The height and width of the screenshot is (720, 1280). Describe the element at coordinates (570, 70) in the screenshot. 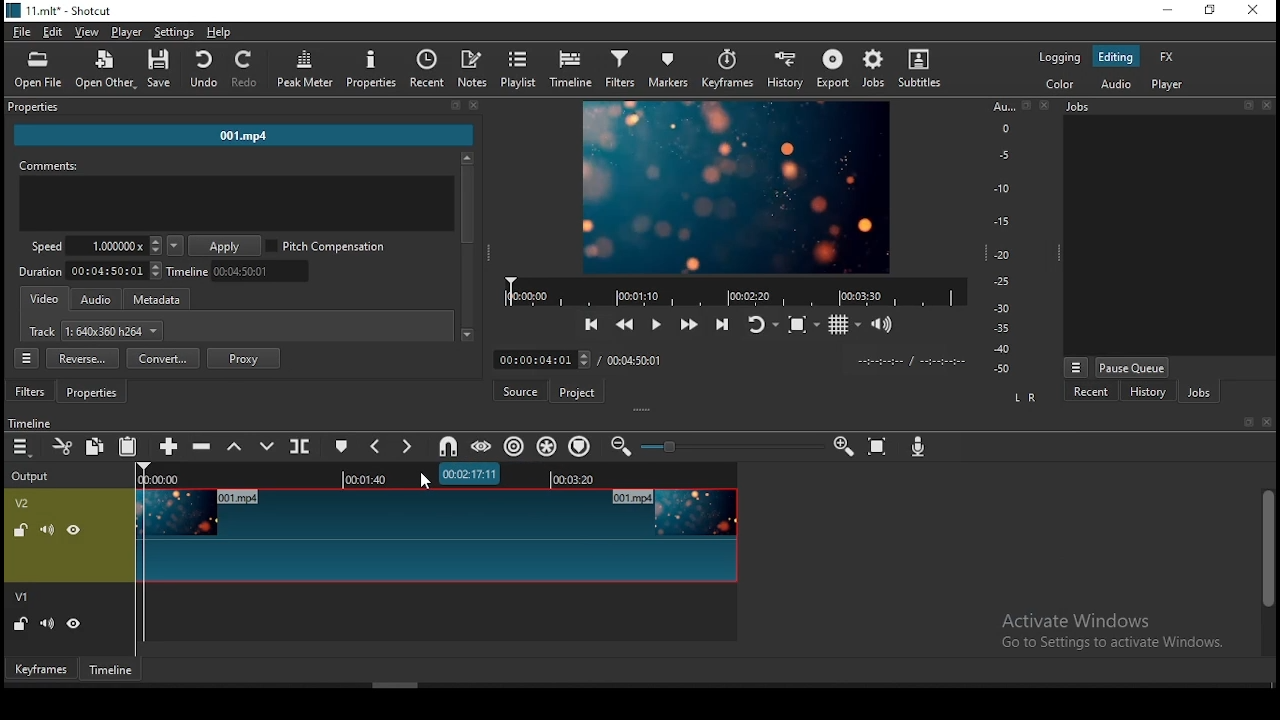

I see `timeline` at that location.